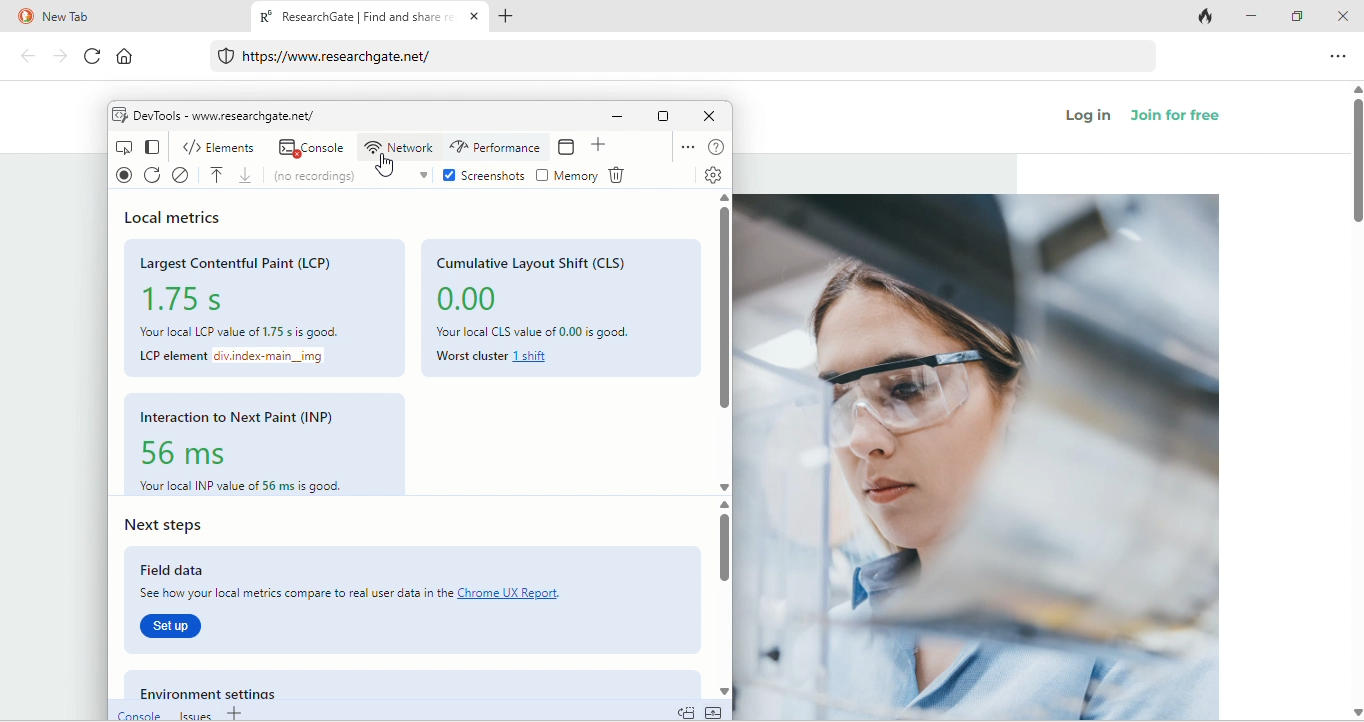 Image resolution: width=1364 pixels, height=722 pixels. I want to click on options, so click(684, 145).